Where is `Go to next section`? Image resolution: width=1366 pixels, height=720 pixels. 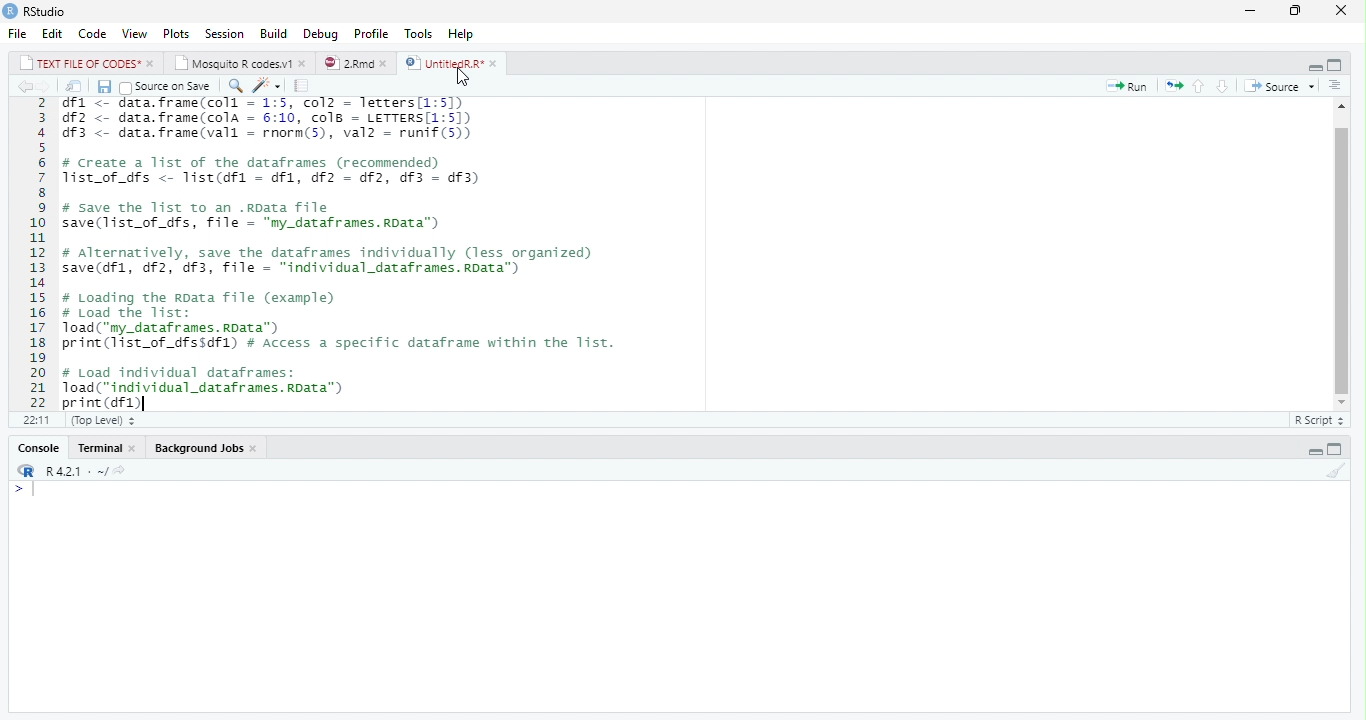 Go to next section is located at coordinates (1223, 87).